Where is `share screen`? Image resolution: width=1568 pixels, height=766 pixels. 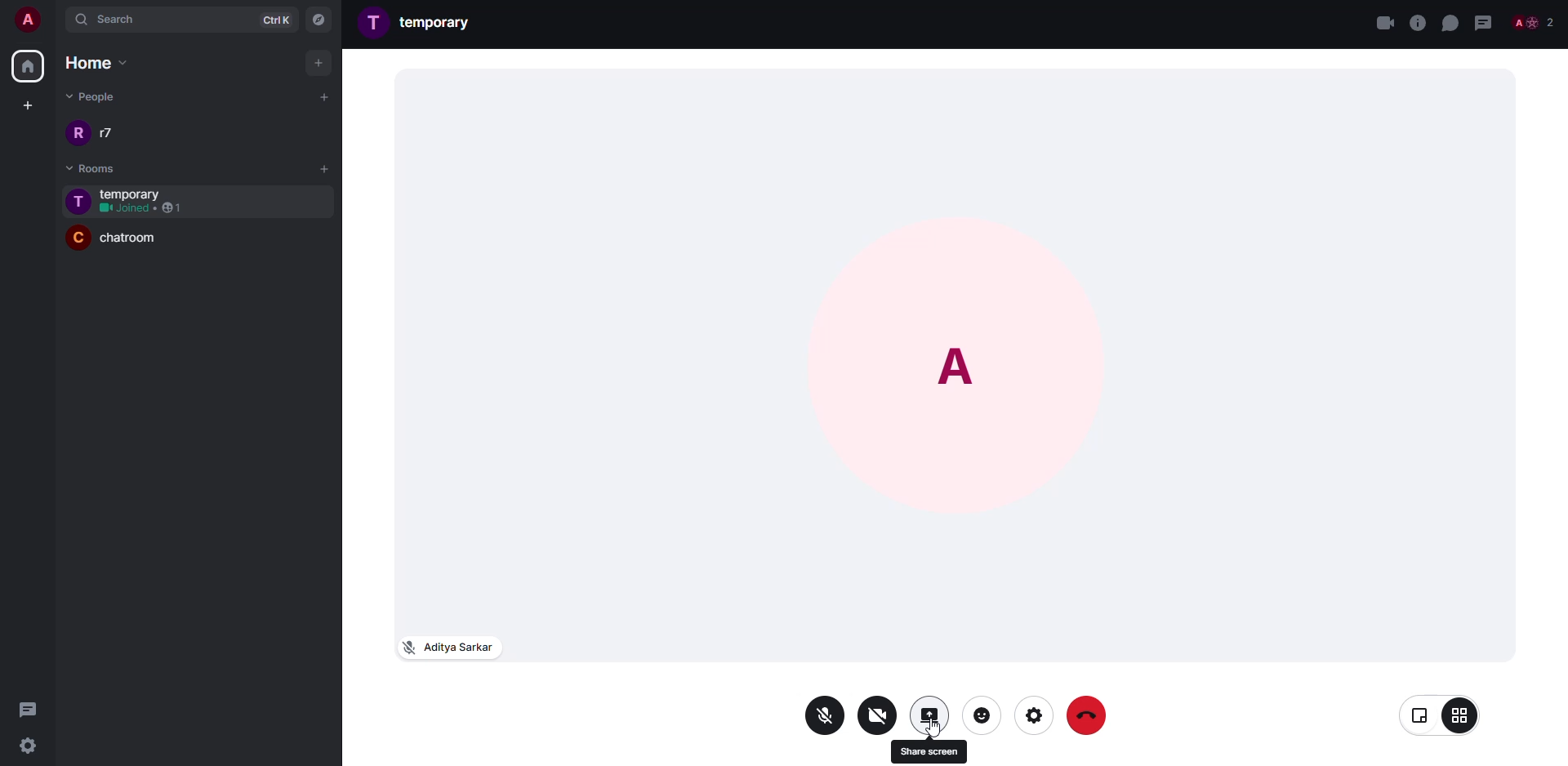 share screen is located at coordinates (929, 751).